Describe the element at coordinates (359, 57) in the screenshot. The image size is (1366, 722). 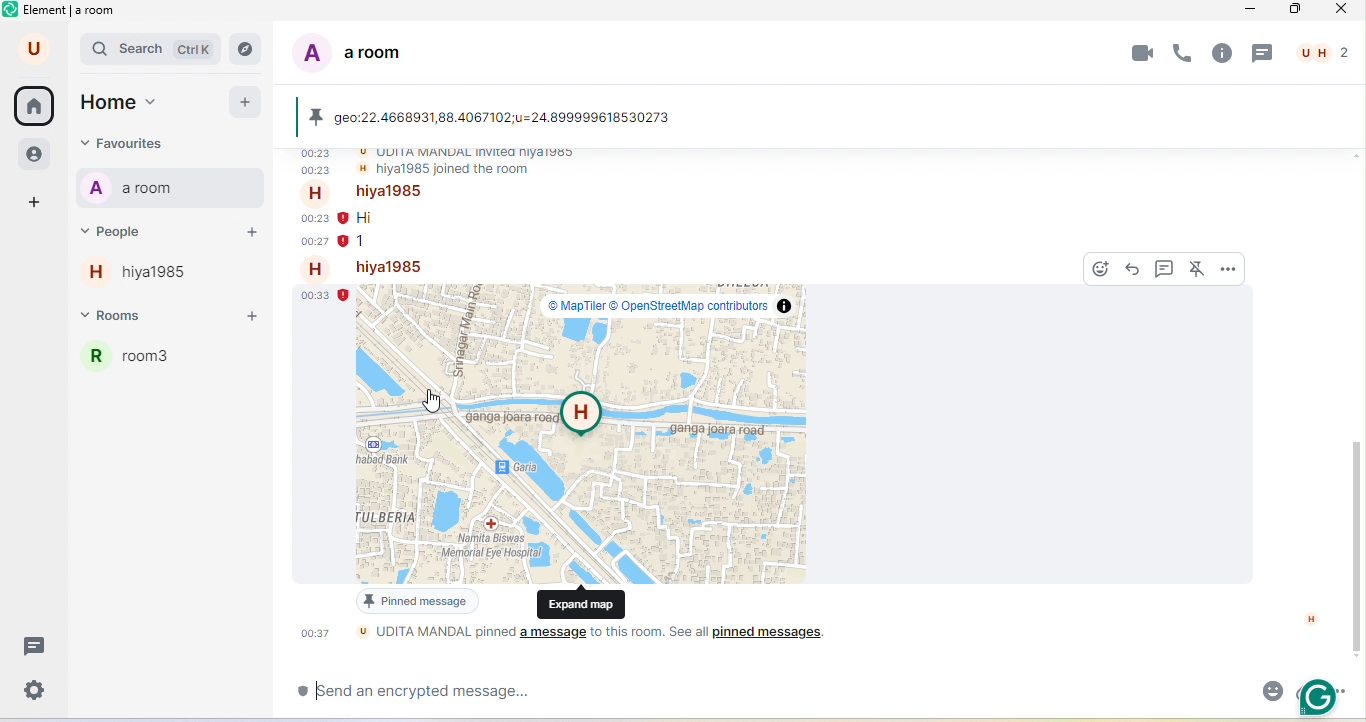
I see `a room` at that location.